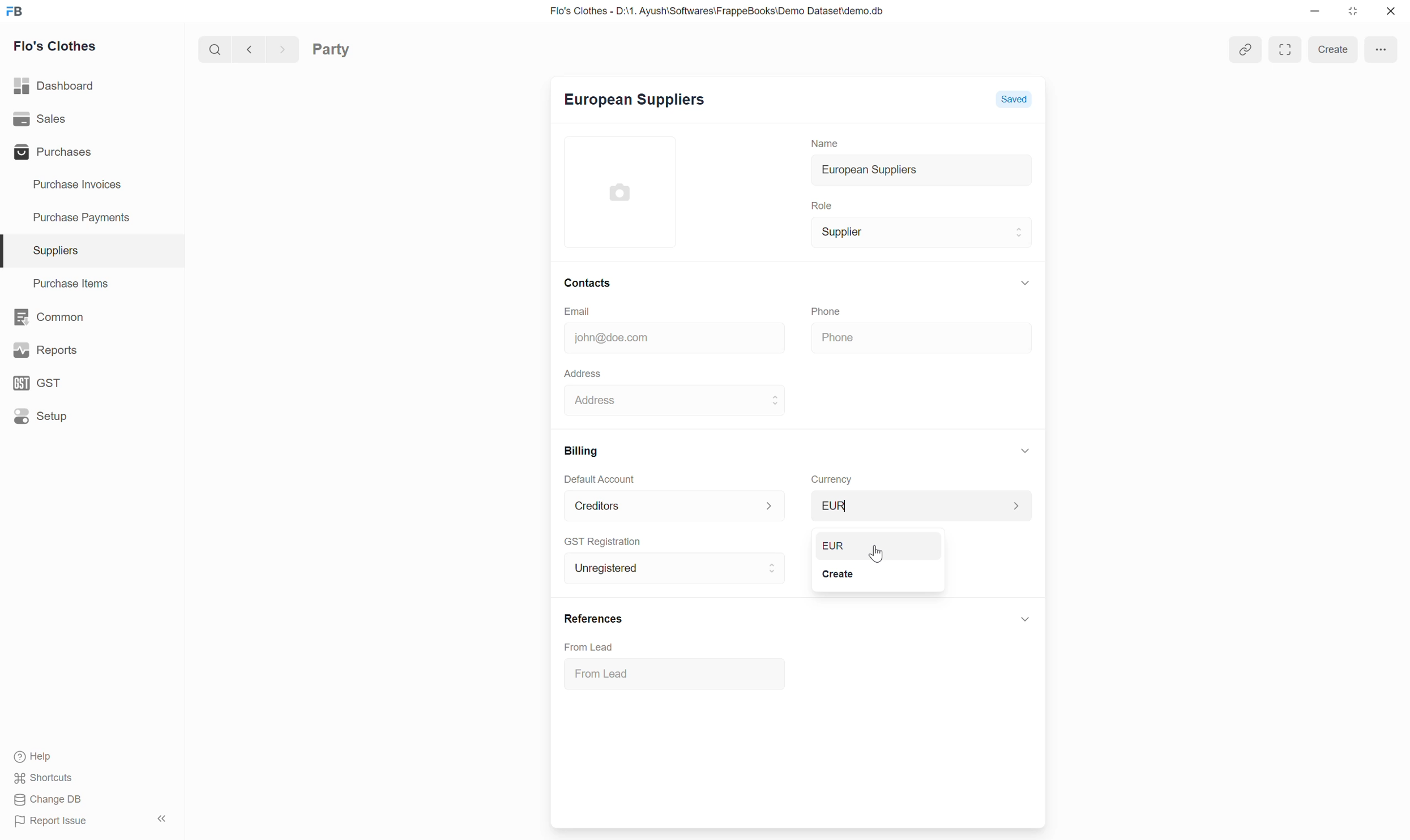 Image resolution: width=1410 pixels, height=840 pixels. What do you see at coordinates (817, 204) in the screenshot?
I see `Role` at bounding box center [817, 204].